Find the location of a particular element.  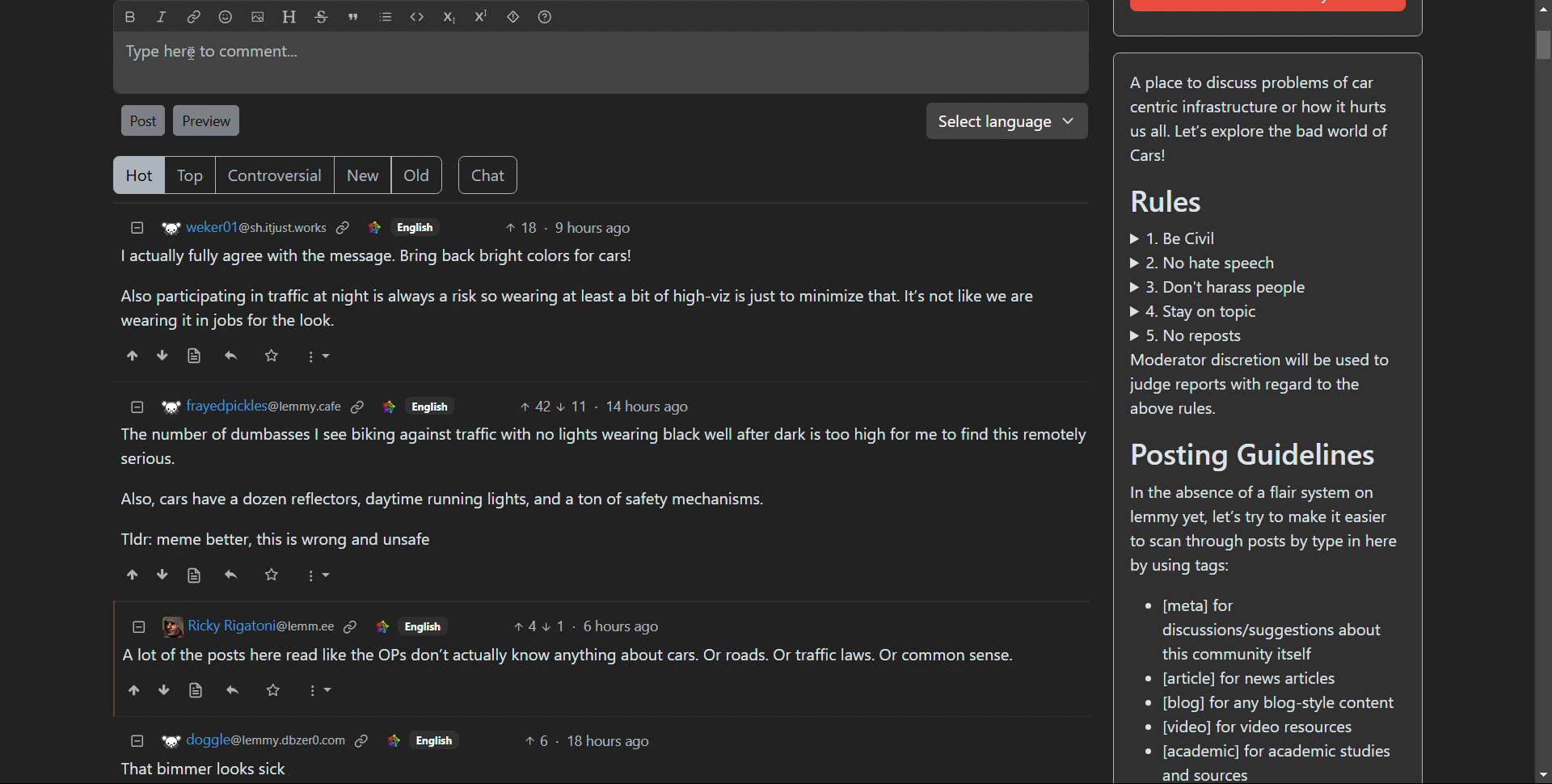

strikethrough is located at coordinates (322, 17).